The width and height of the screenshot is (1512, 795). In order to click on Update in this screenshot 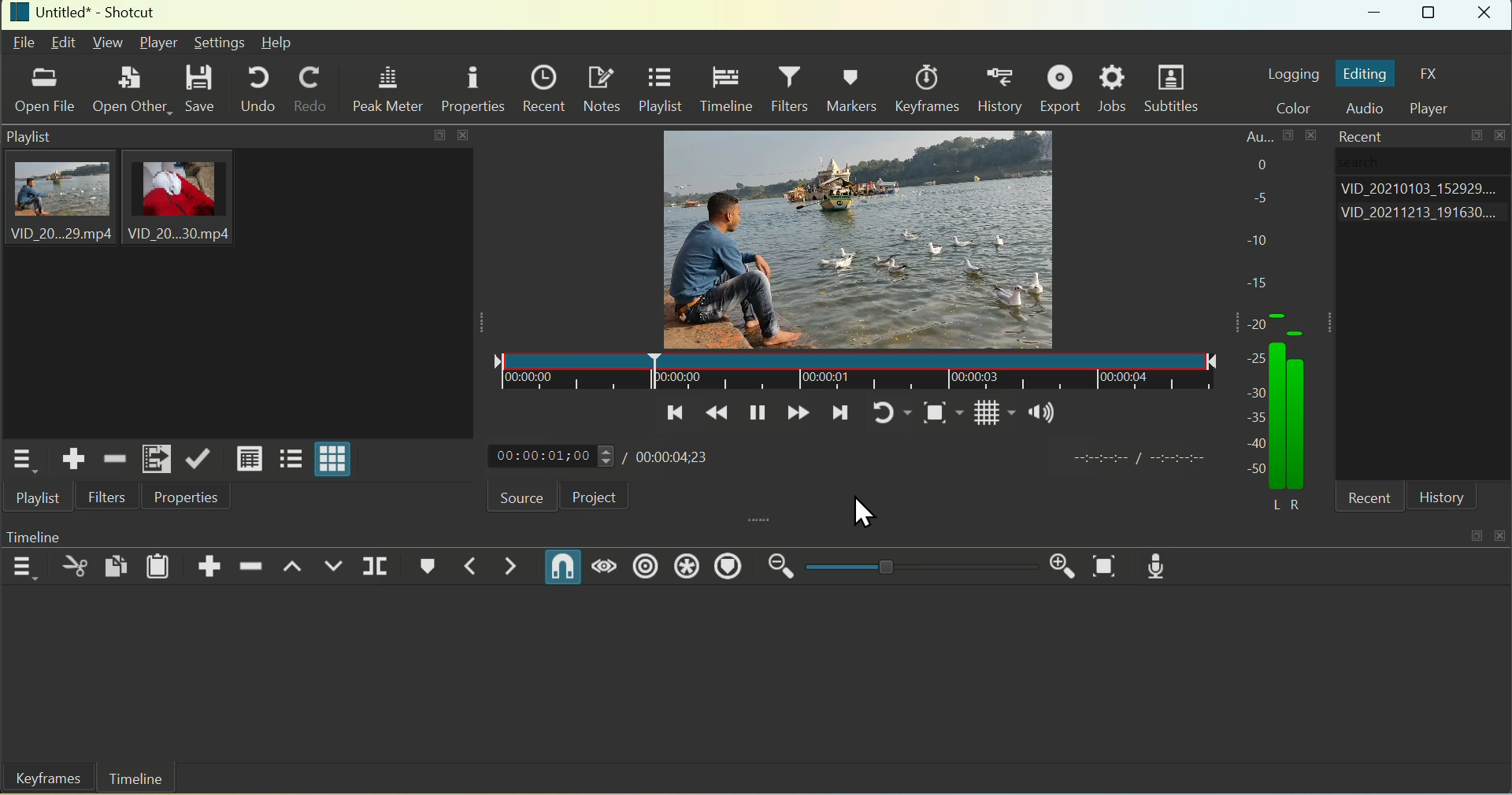, I will do `click(198, 457)`.